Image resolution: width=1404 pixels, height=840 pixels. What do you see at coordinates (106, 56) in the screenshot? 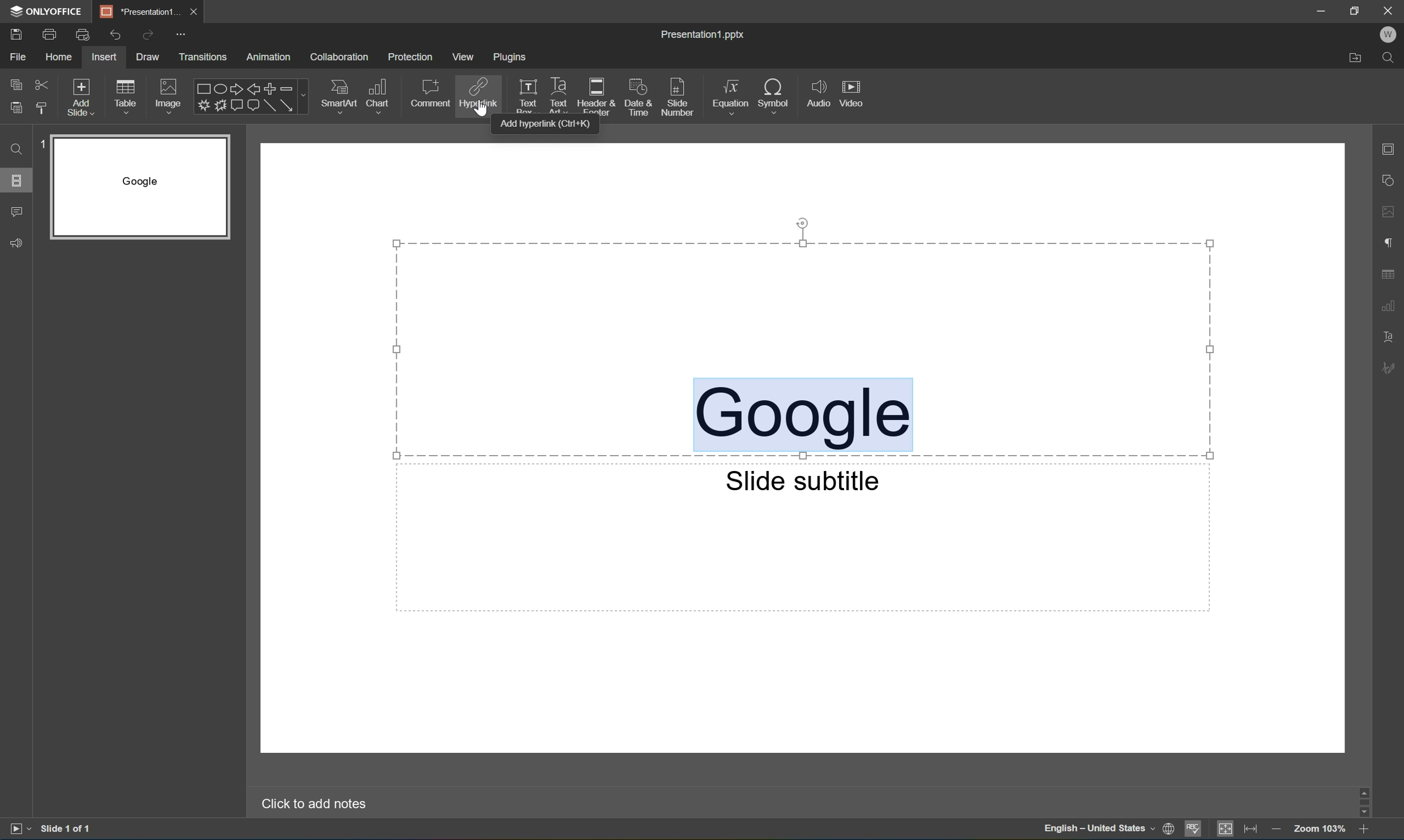
I see `Insert` at bounding box center [106, 56].